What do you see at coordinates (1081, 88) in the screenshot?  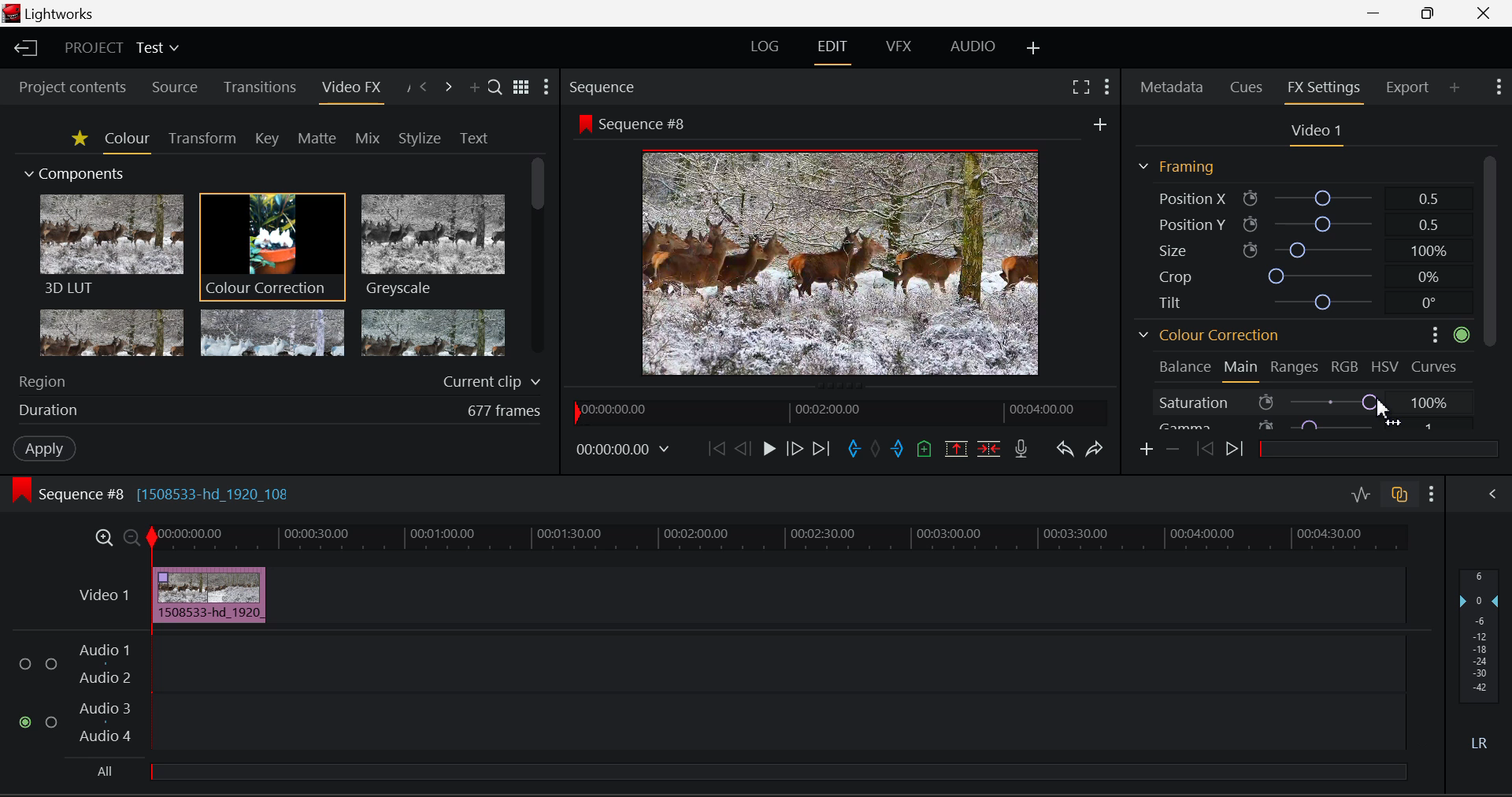 I see `Full Screen` at bounding box center [1081, 88].